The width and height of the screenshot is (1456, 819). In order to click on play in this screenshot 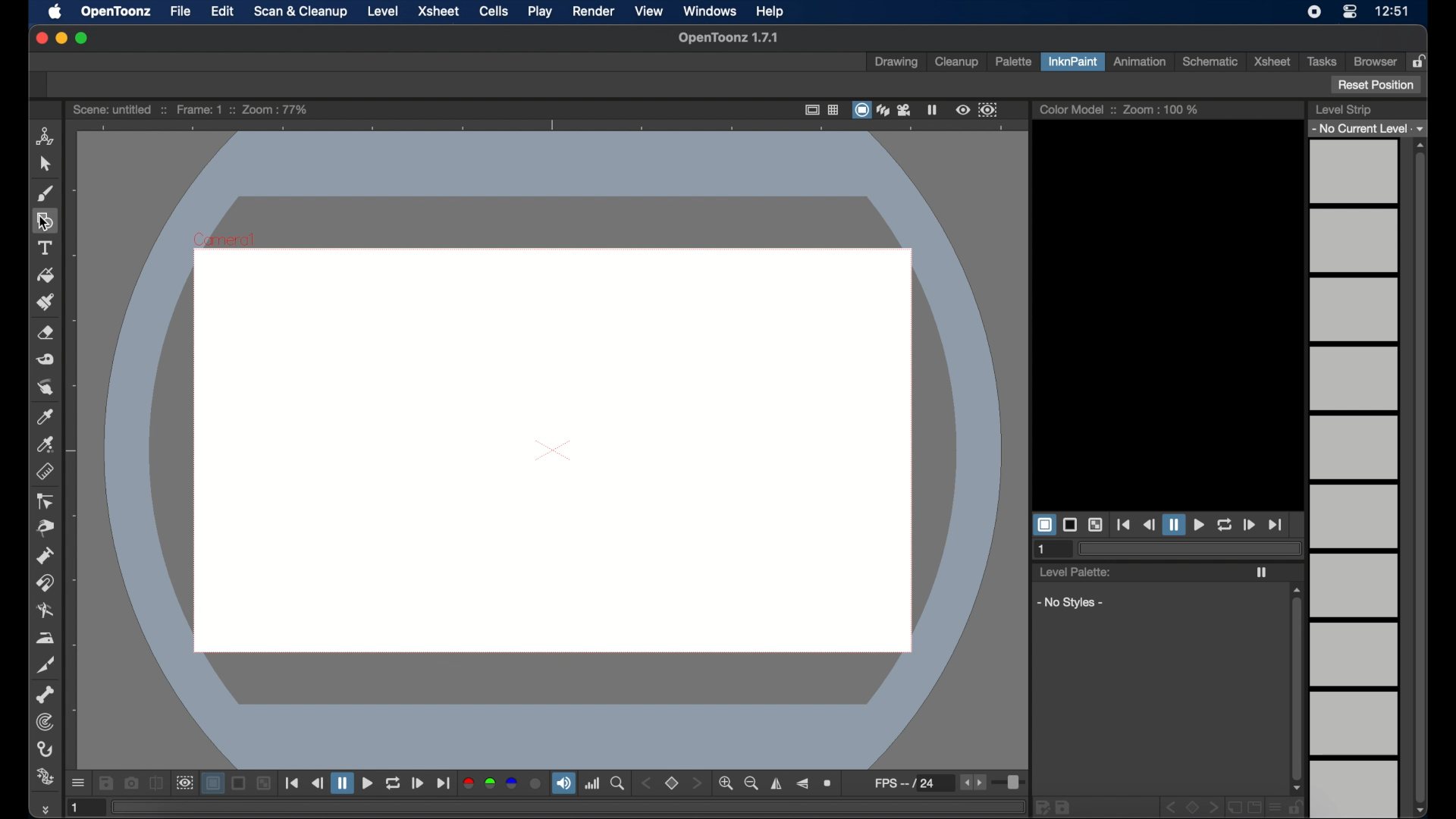, I will do `click(1198, 526)`.